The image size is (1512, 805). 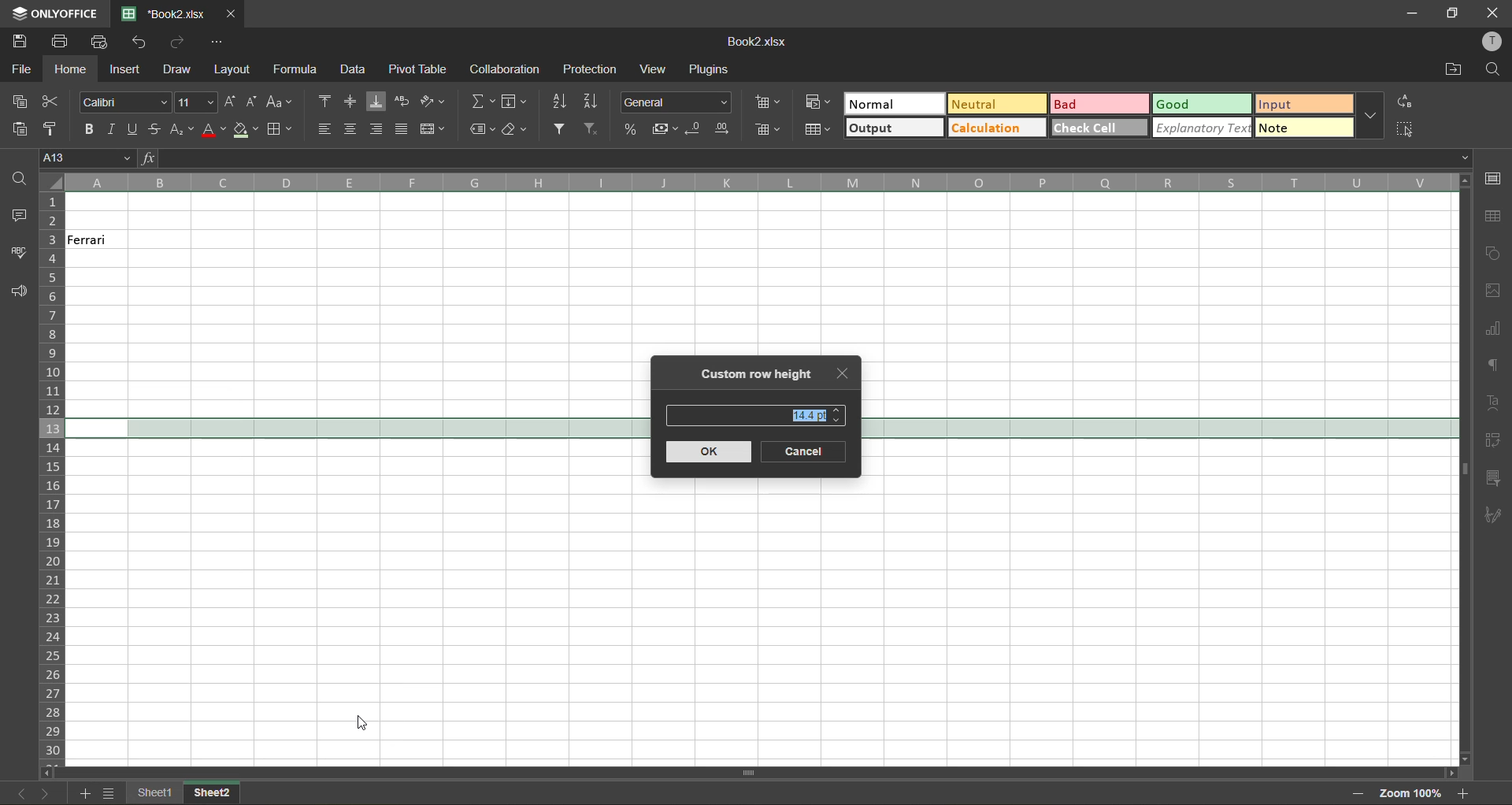 I want to click on sheet list, so click(x=113, y=795).